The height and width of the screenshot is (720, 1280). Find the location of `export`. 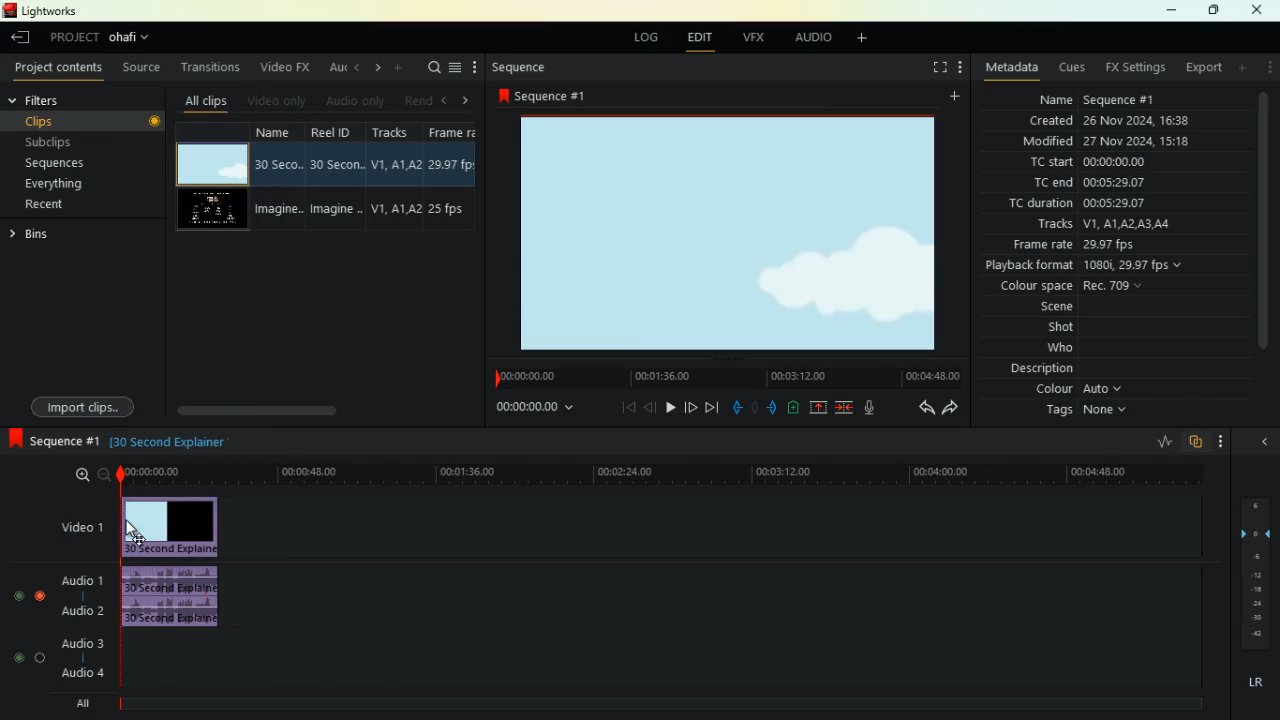

export is located at coordinates (1203, 68).